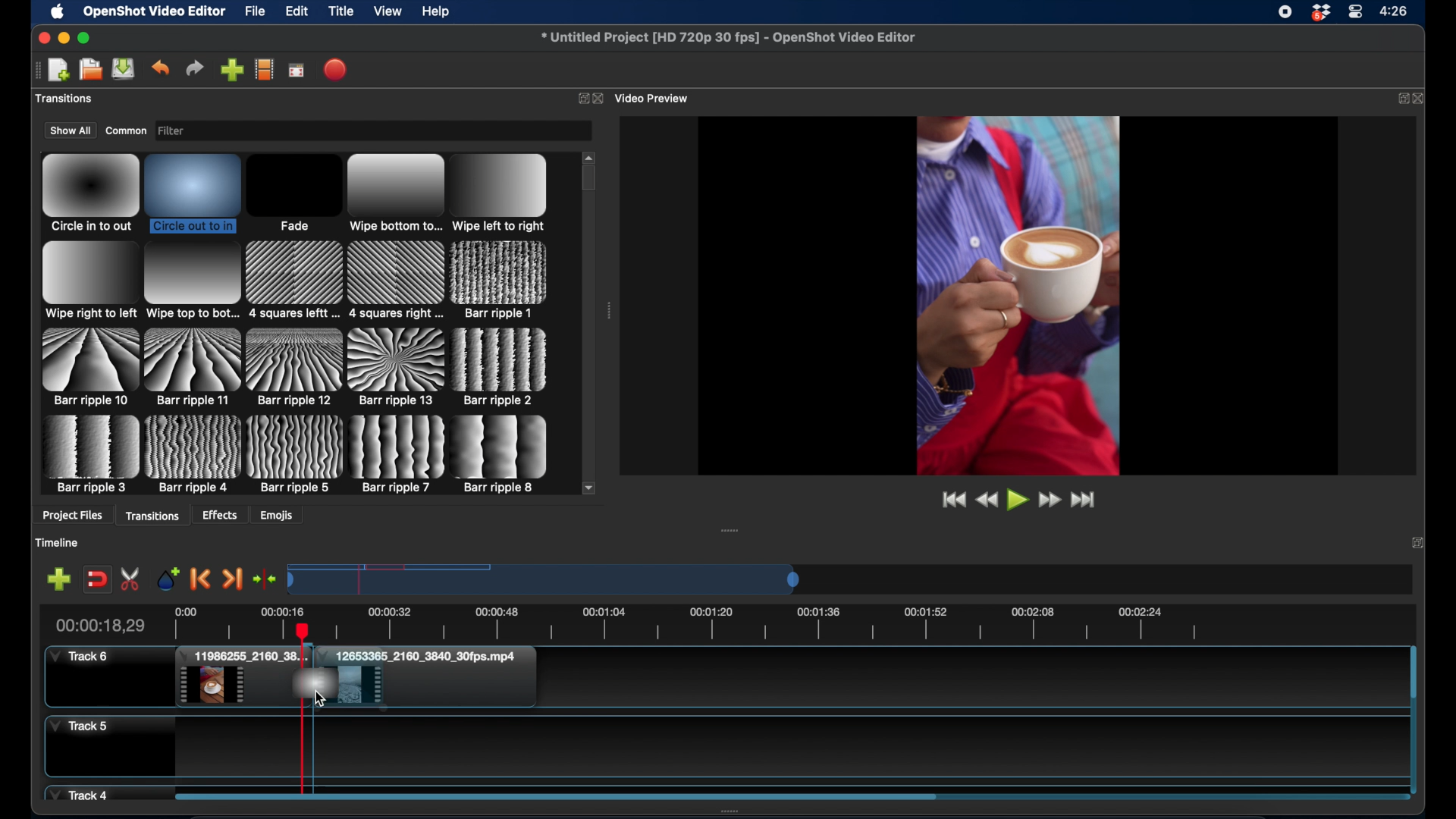  What do you see at coordinates (232, 579) in the screenshot?
I see `next marker` at bounding box center [232, 579].